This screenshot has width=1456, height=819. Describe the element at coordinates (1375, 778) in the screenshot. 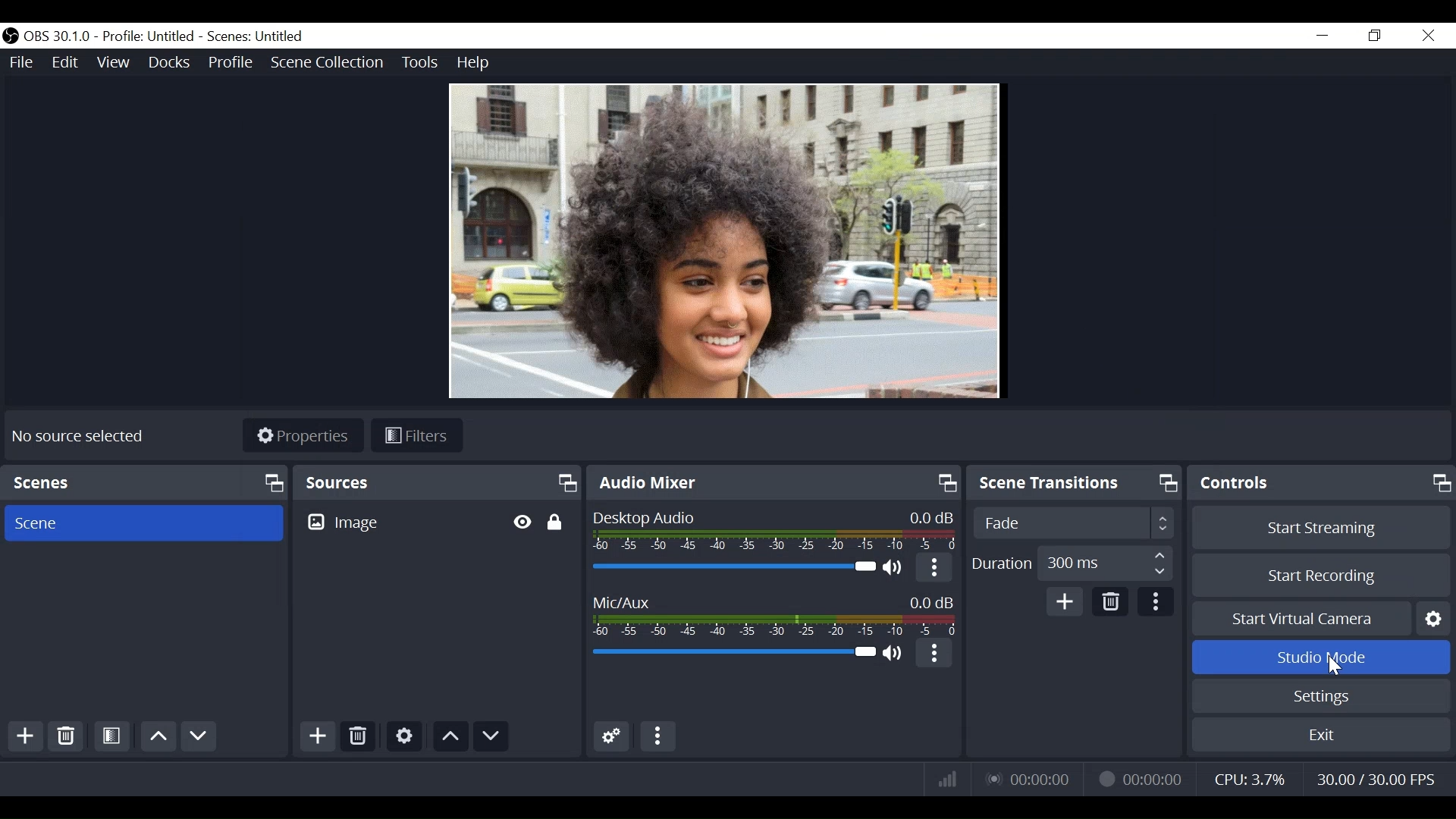

I see `Frame Rate (Frame Per Second)` at that location.